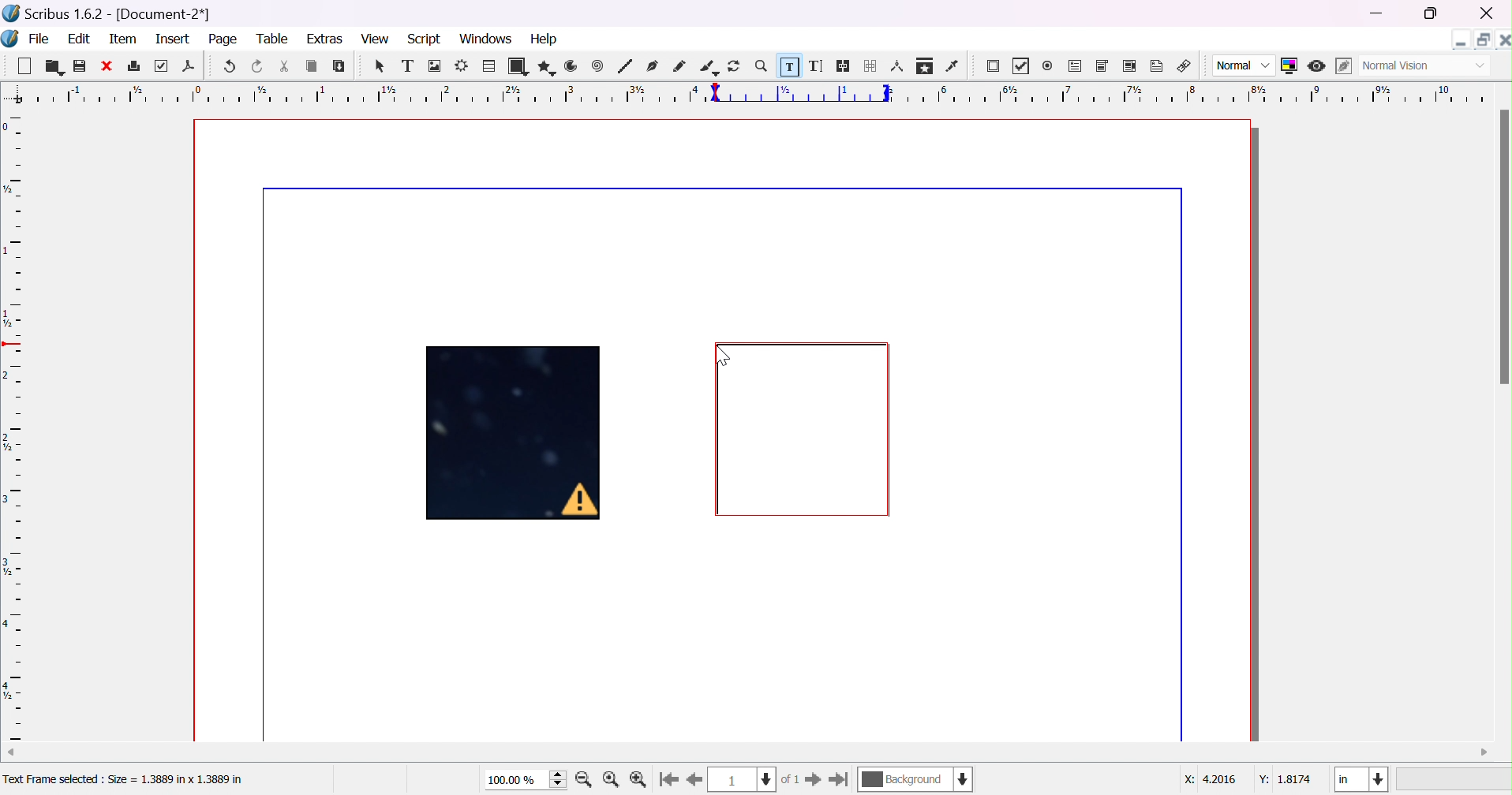  Describe the element at coordinates (818, 66) in the screenshot. I see `edit text with story editor` at that location.